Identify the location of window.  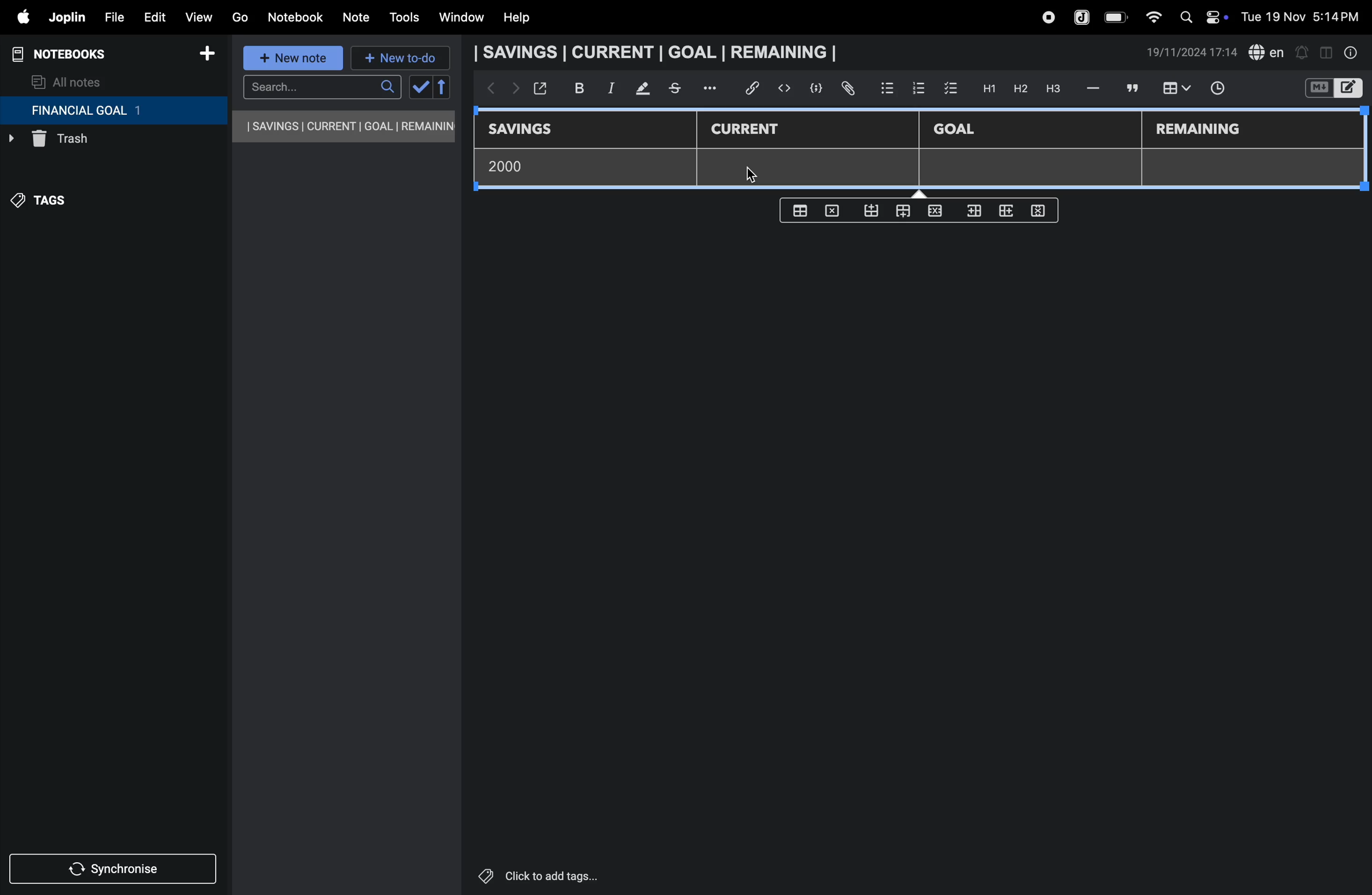
(460, 18).